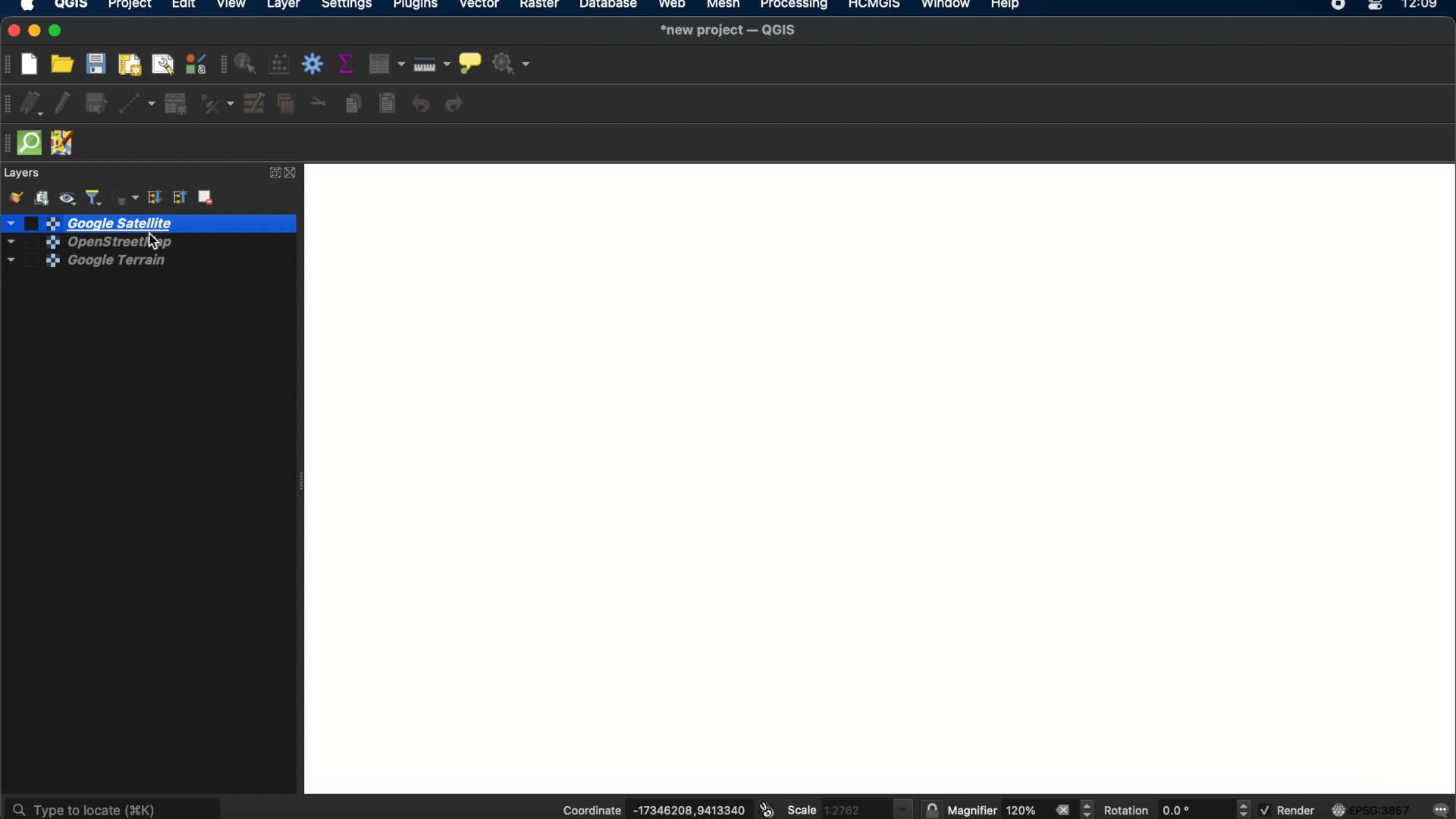 The width and height of the screenshot is (1456, 819). I want to click on toolbox, so click(315, 64).